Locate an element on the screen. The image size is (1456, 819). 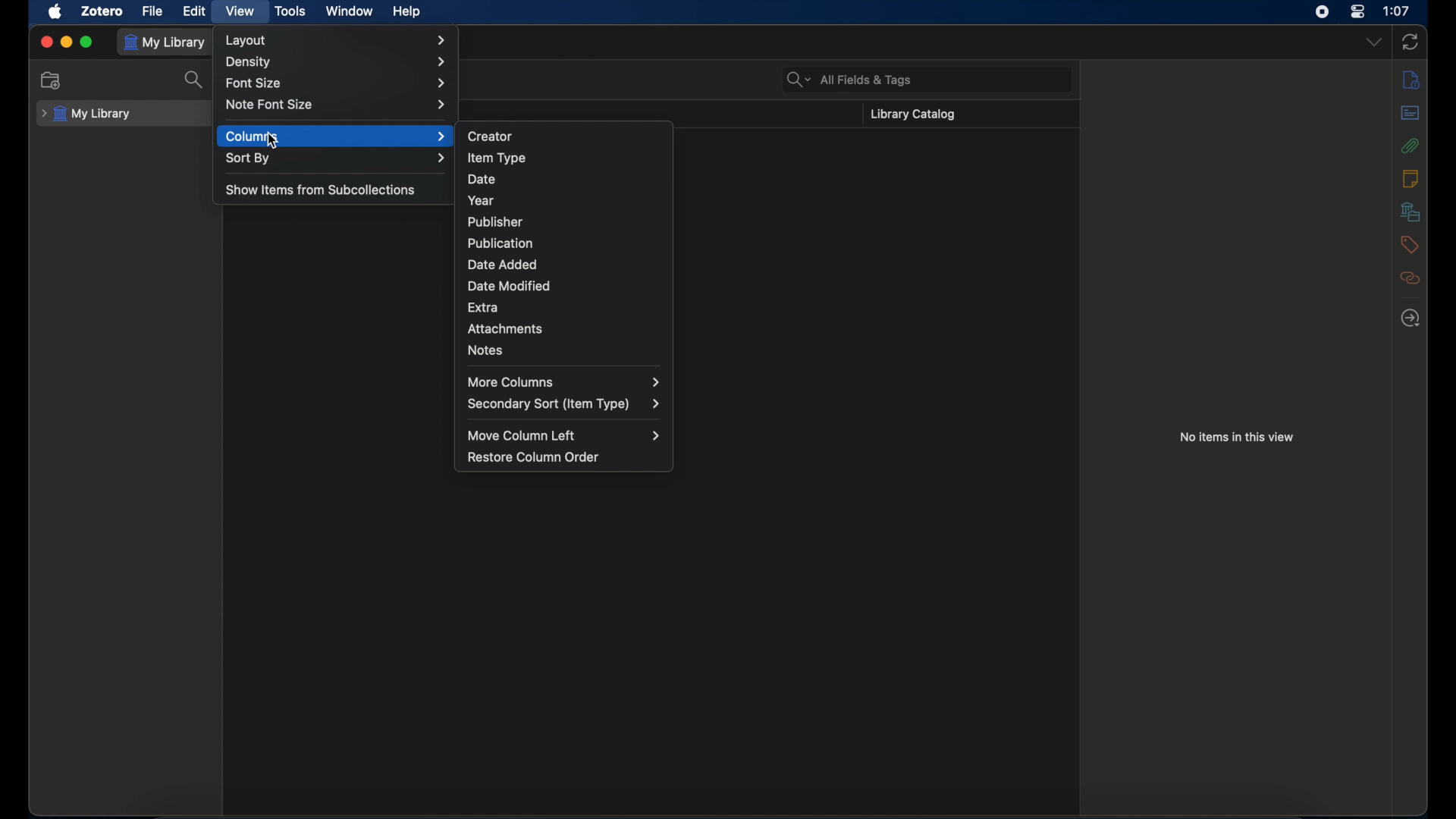
libraries is located at coordinates (1410, 211).